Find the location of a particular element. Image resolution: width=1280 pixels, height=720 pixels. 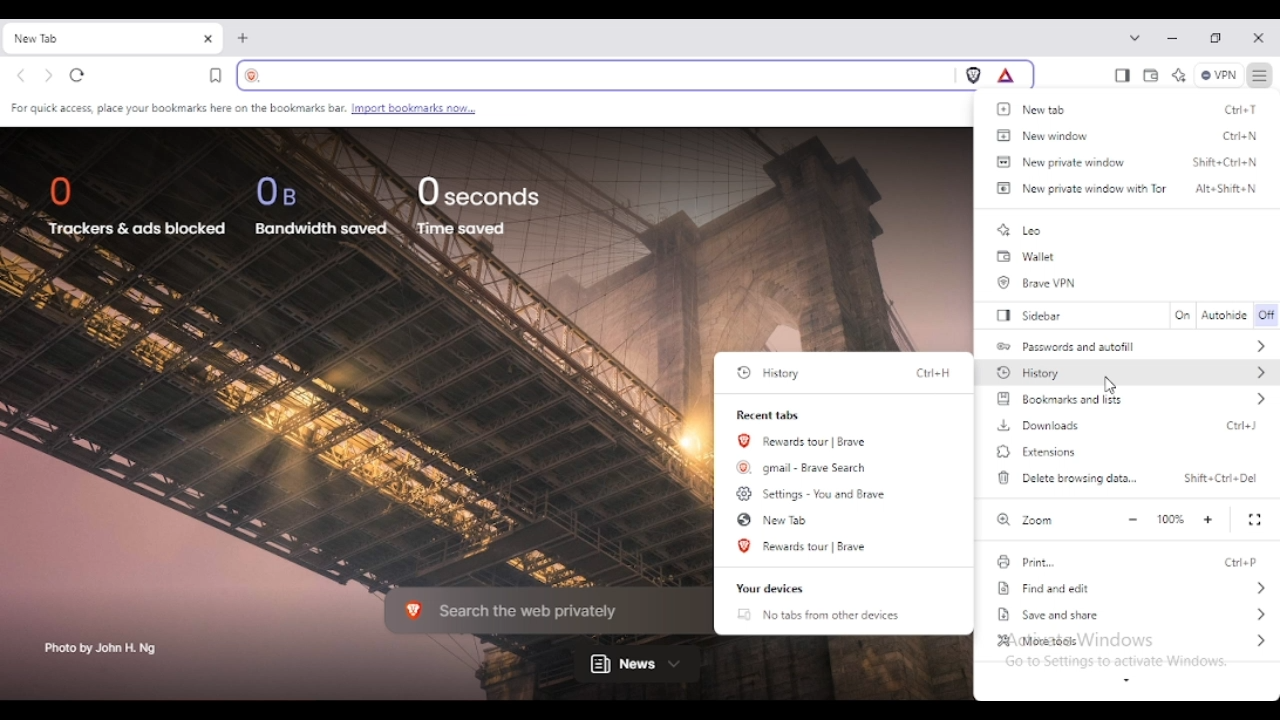

shortcut for new window with Tor is located at coordinates (1226, 188).